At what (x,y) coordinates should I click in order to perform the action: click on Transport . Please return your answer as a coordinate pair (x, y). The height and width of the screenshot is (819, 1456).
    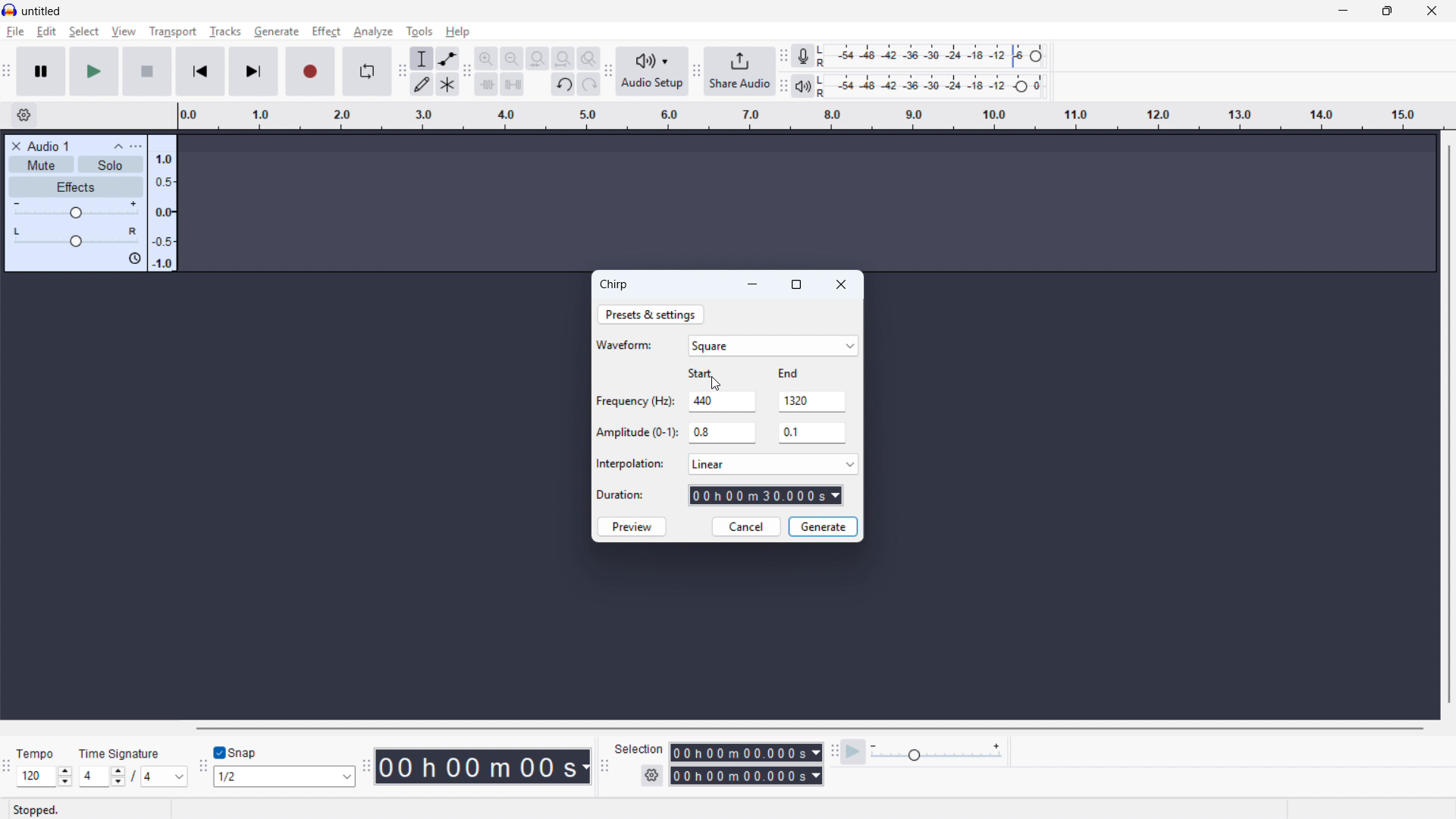
    Looking at the image, I should click on (171, 31).